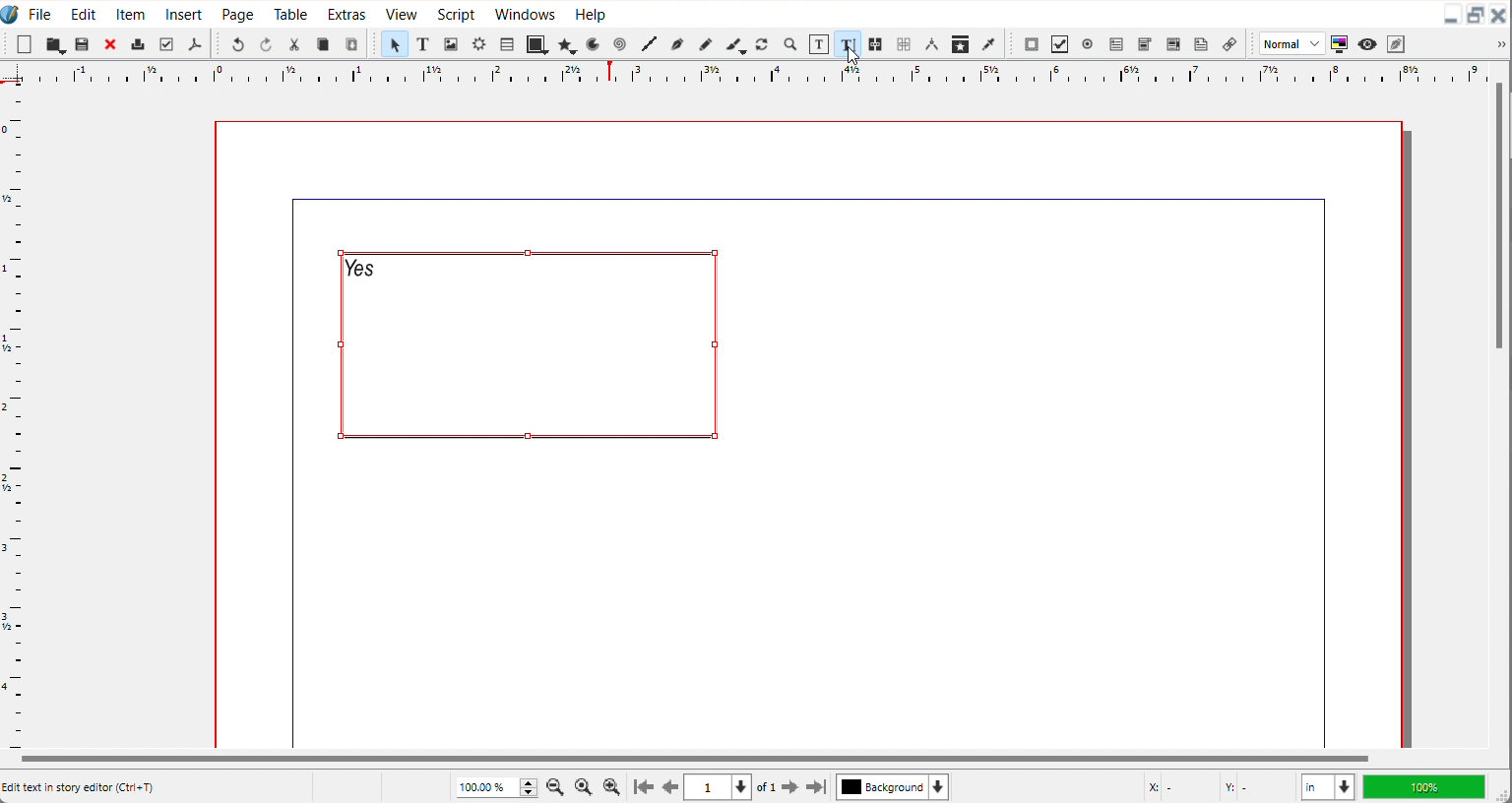 The width and height of the screenshot is (1512, 803). Describe the element at coordinates (194, 44) in the screenshot. I see `Save as PDF` at that location.